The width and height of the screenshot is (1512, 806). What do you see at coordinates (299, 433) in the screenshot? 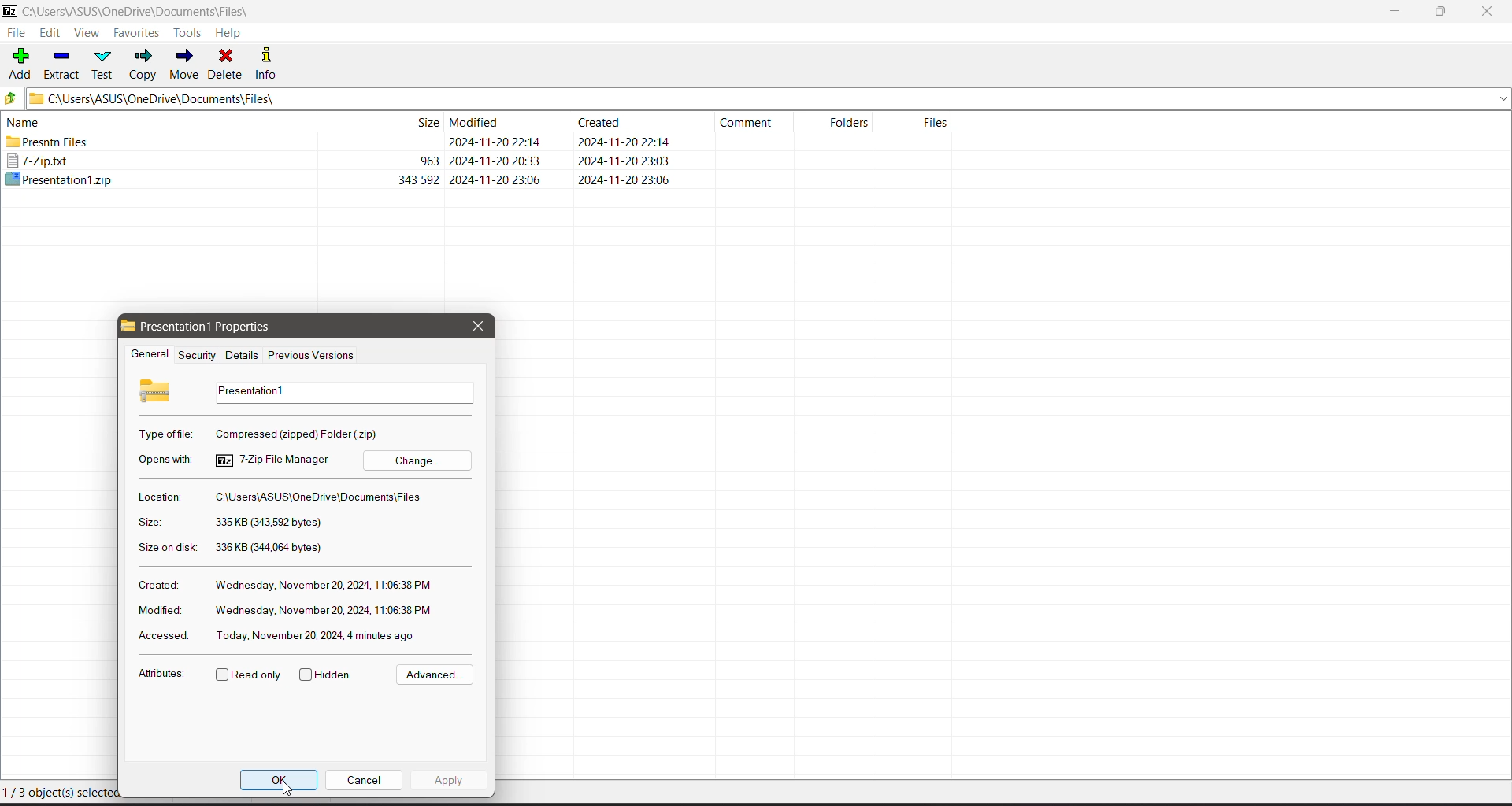
I see `Selected file type` at bounding box center [299, 433].